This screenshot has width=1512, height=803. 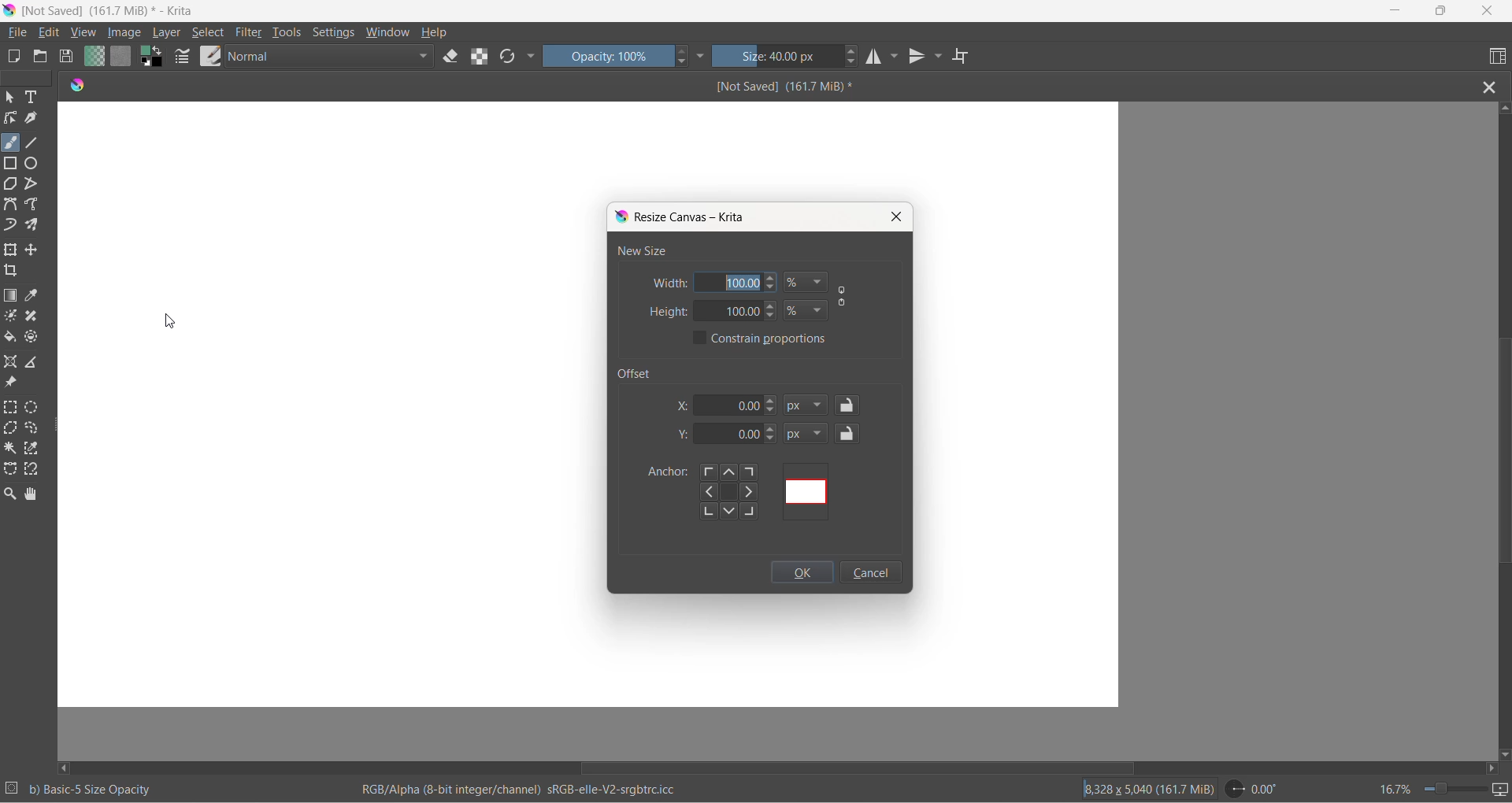 I want to click on select shape tool, so click(x=10, y=98).